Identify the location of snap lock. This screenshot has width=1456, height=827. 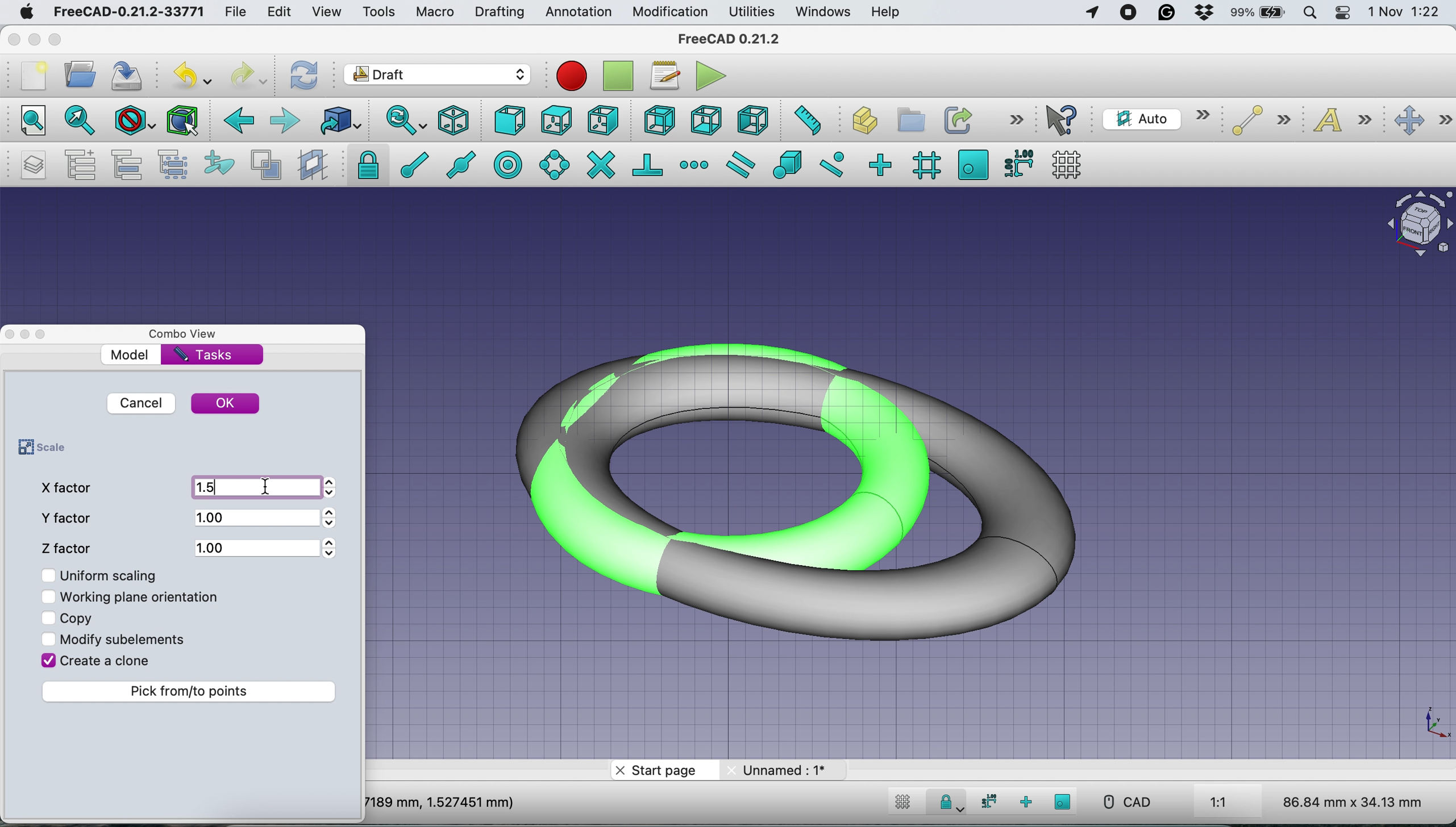
(363, 165).